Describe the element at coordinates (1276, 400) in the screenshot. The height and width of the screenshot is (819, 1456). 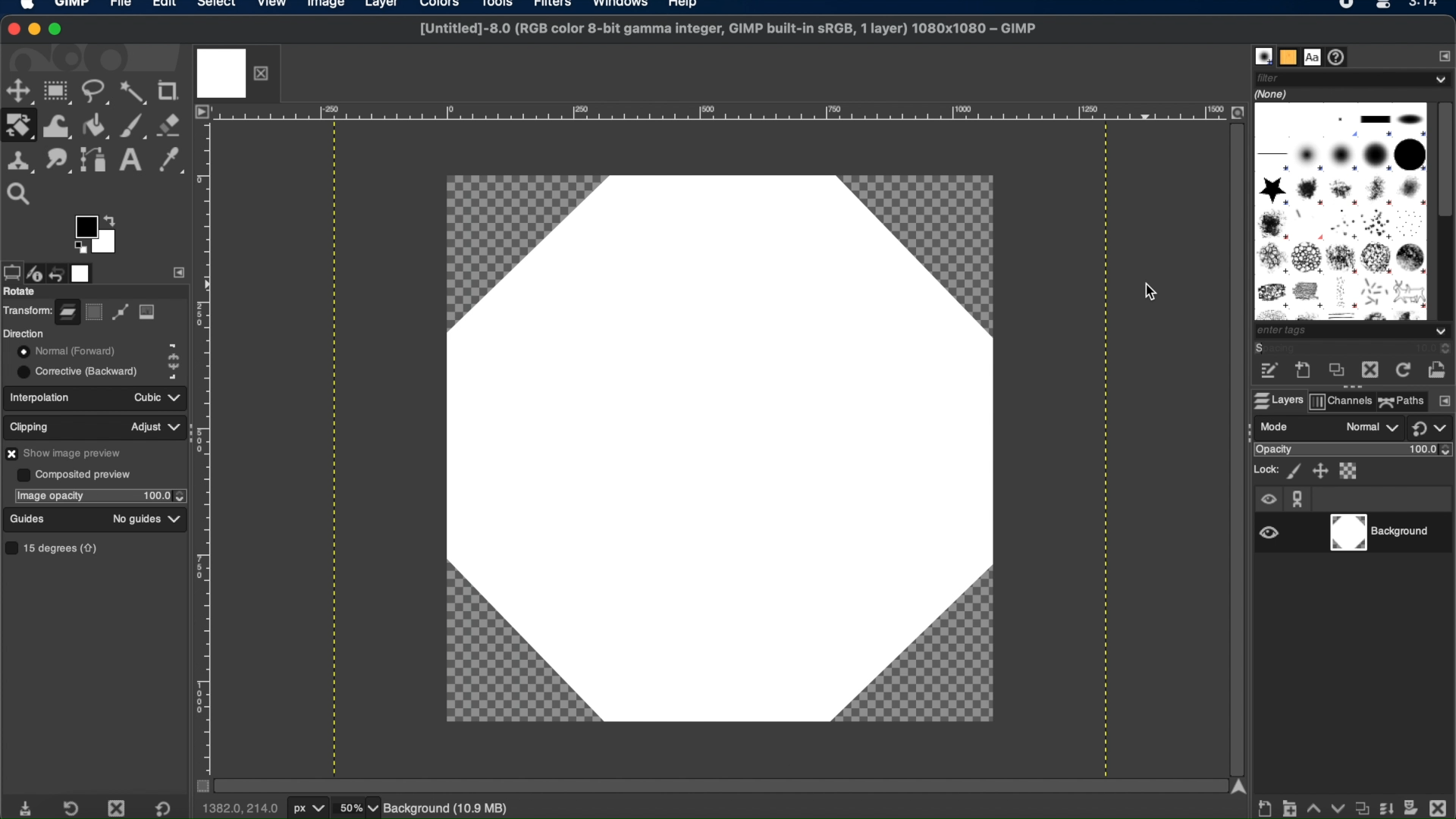
I see `layers` at that location.